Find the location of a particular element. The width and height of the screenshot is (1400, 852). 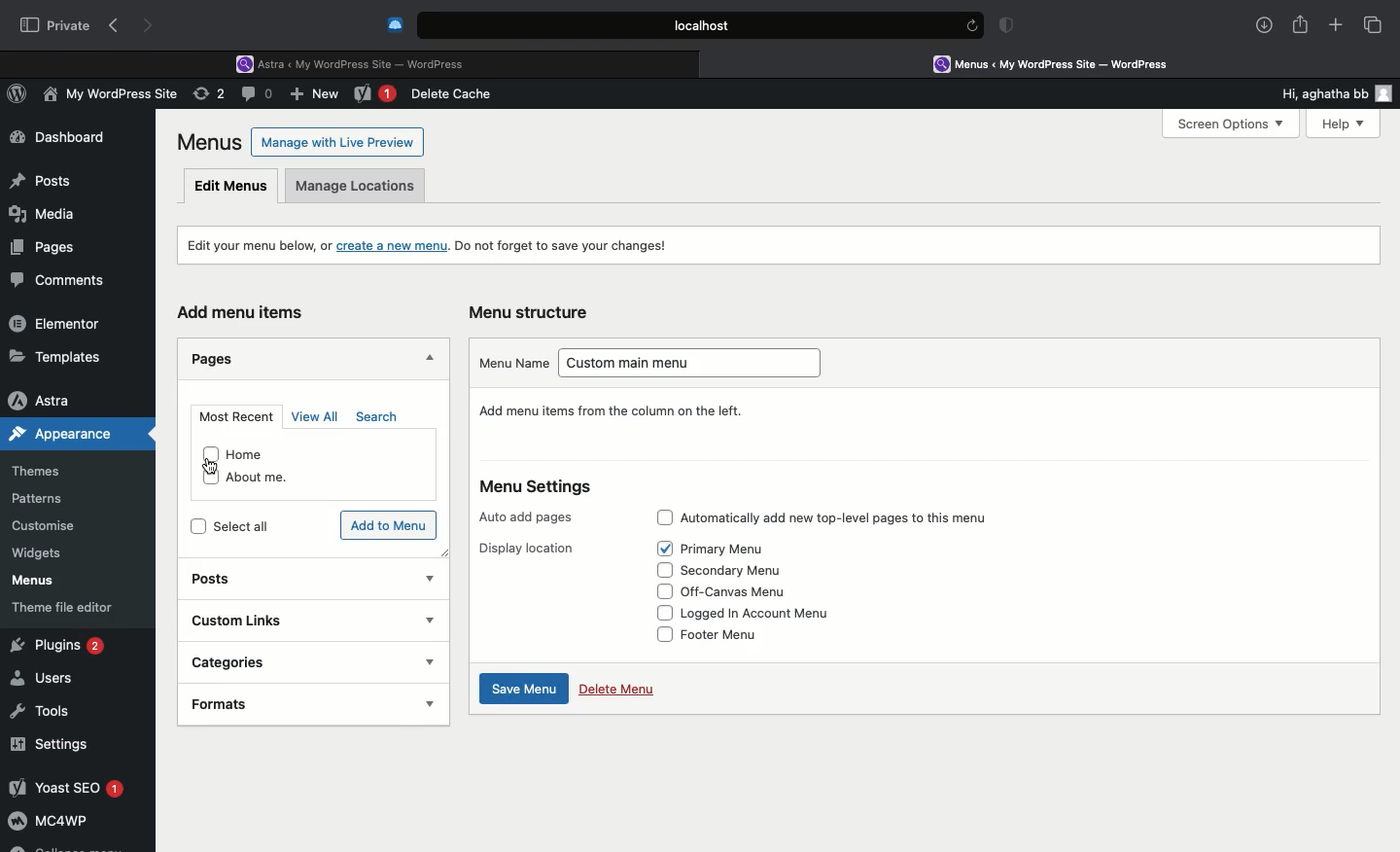

Astra < My WordPress Site - WordPress is located at coordinates (357, 62).